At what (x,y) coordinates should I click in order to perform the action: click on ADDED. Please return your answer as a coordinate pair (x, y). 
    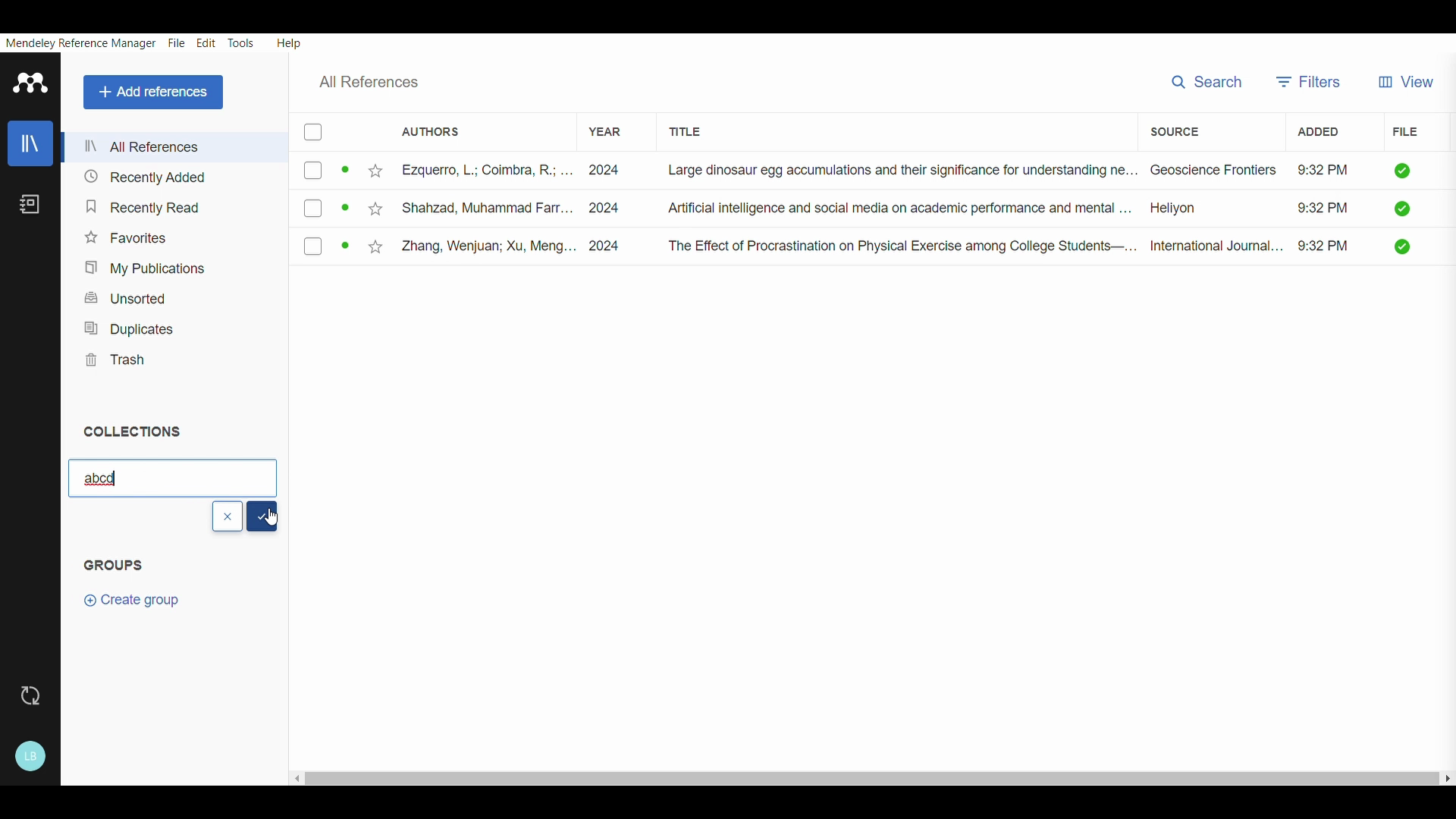
    Looking at the image, I should click on (1312, 133).